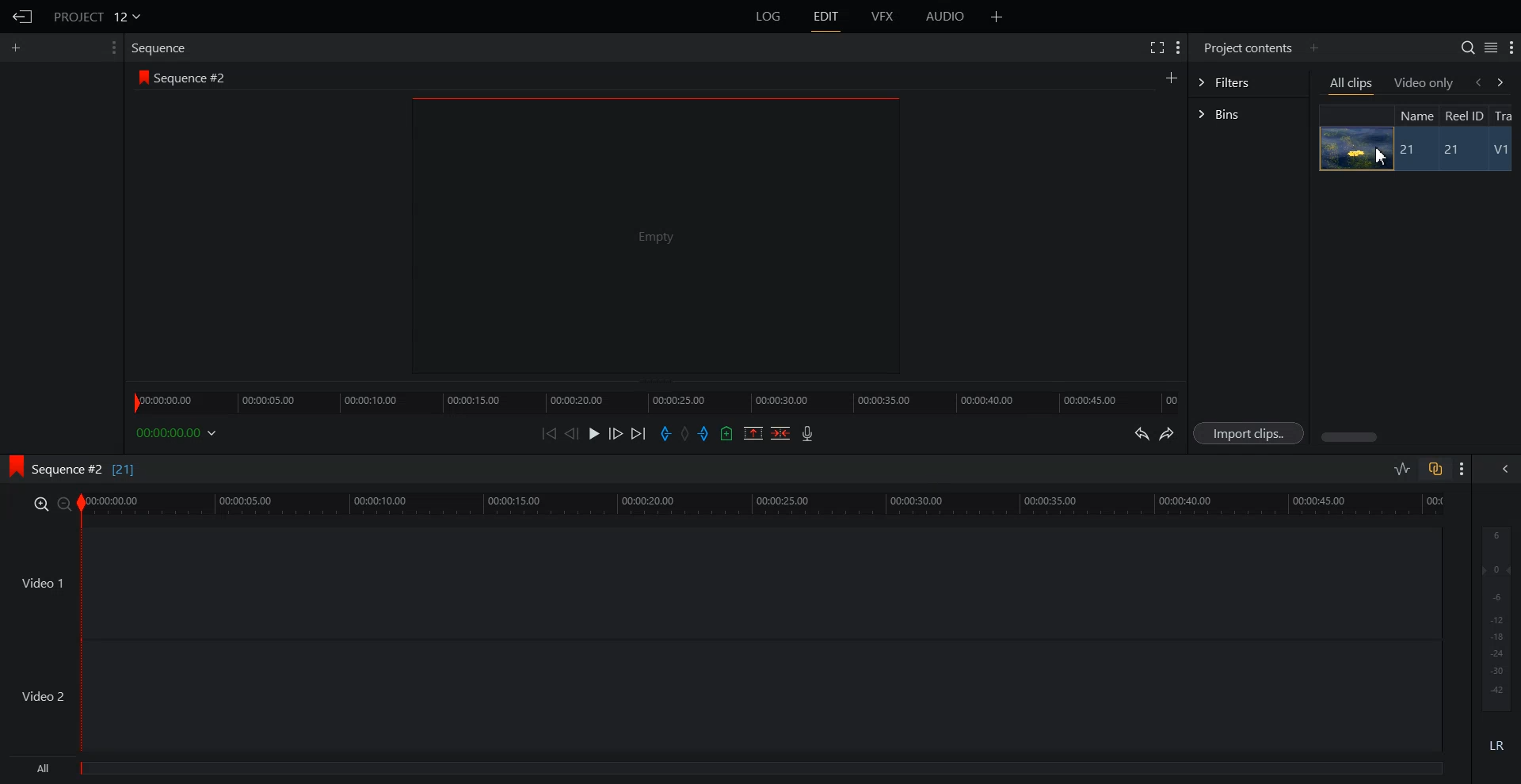 The height and width of the screenshot is (784, 1521). I want to click on Redo, so click(1168, 434).